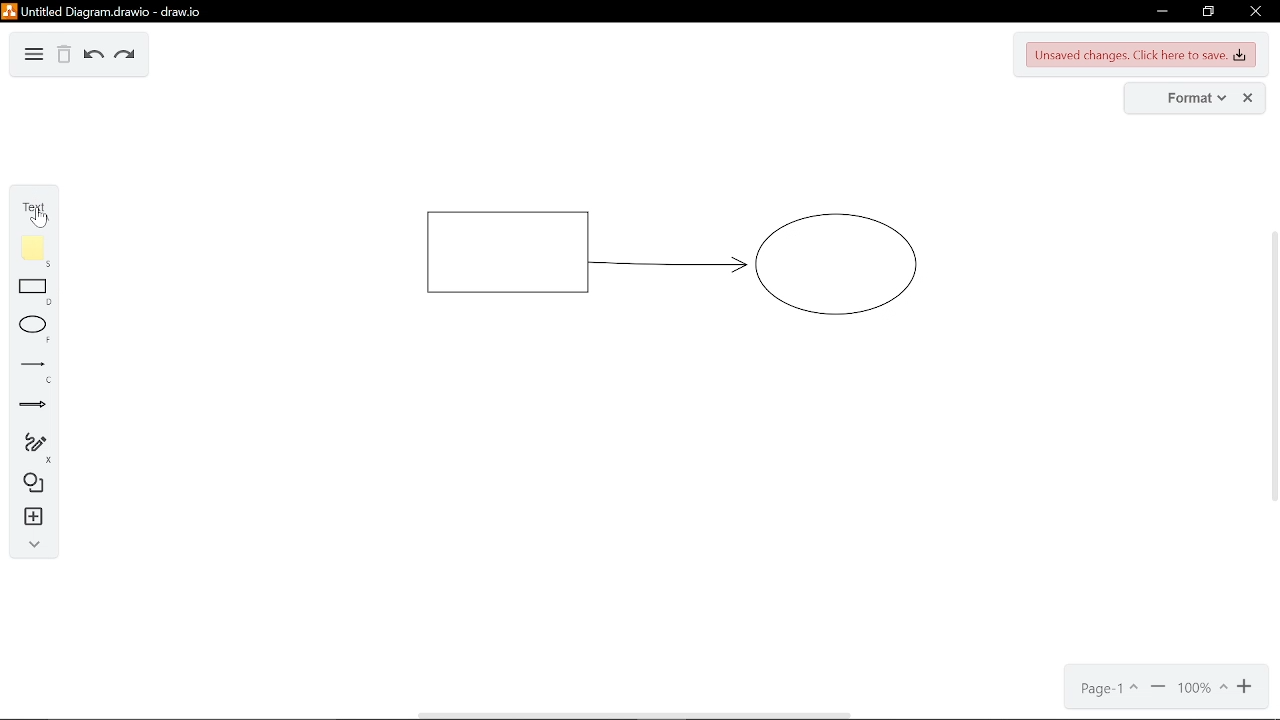  Describe the element at coordinates (1244, 687) in the screenshot. I see `zoom out` at that location.